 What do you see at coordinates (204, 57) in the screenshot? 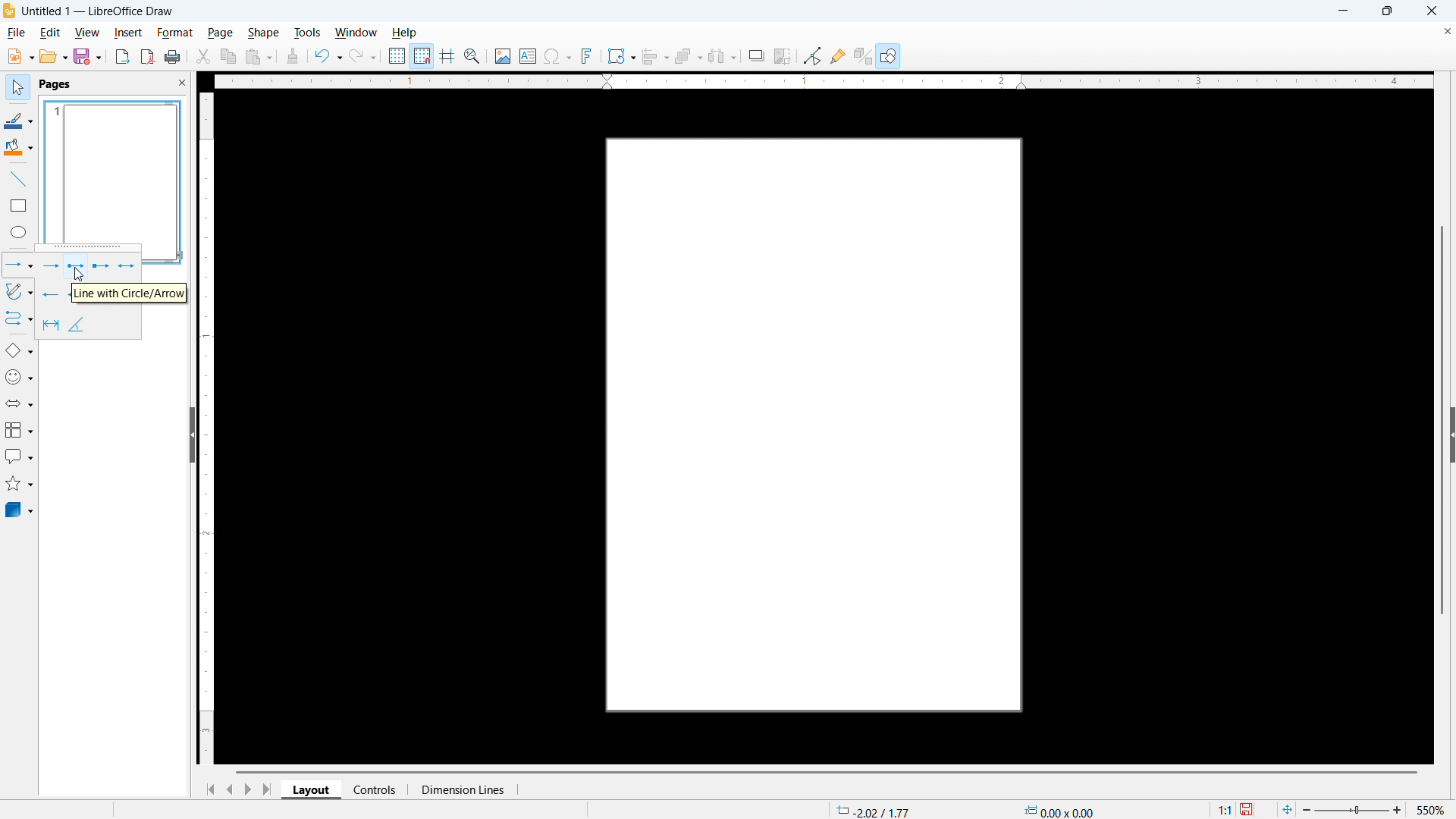
I see `Cut  ` at bounding box center [204, 57].